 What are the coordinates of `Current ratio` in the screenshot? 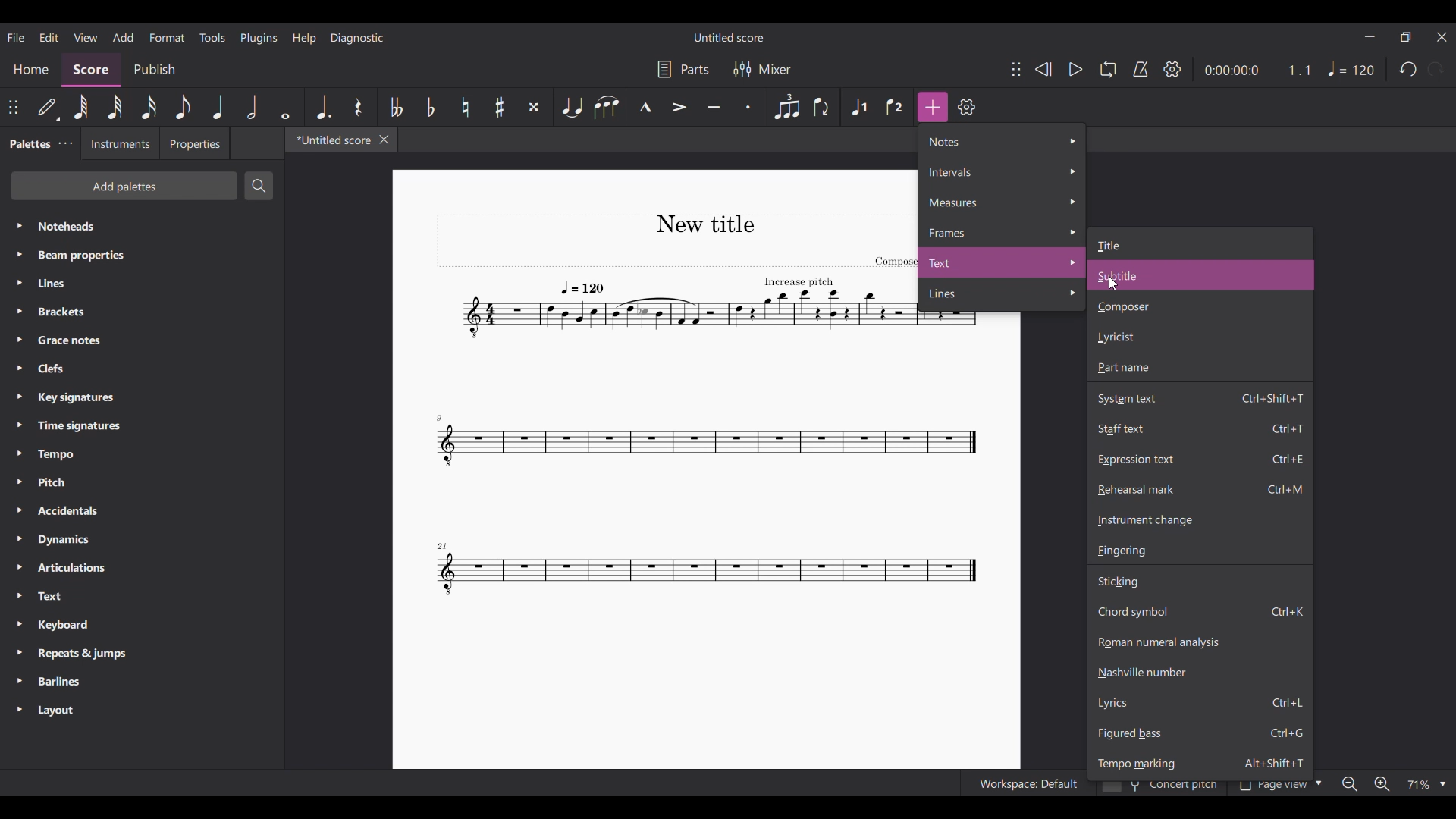 It's located at (1299, 70).